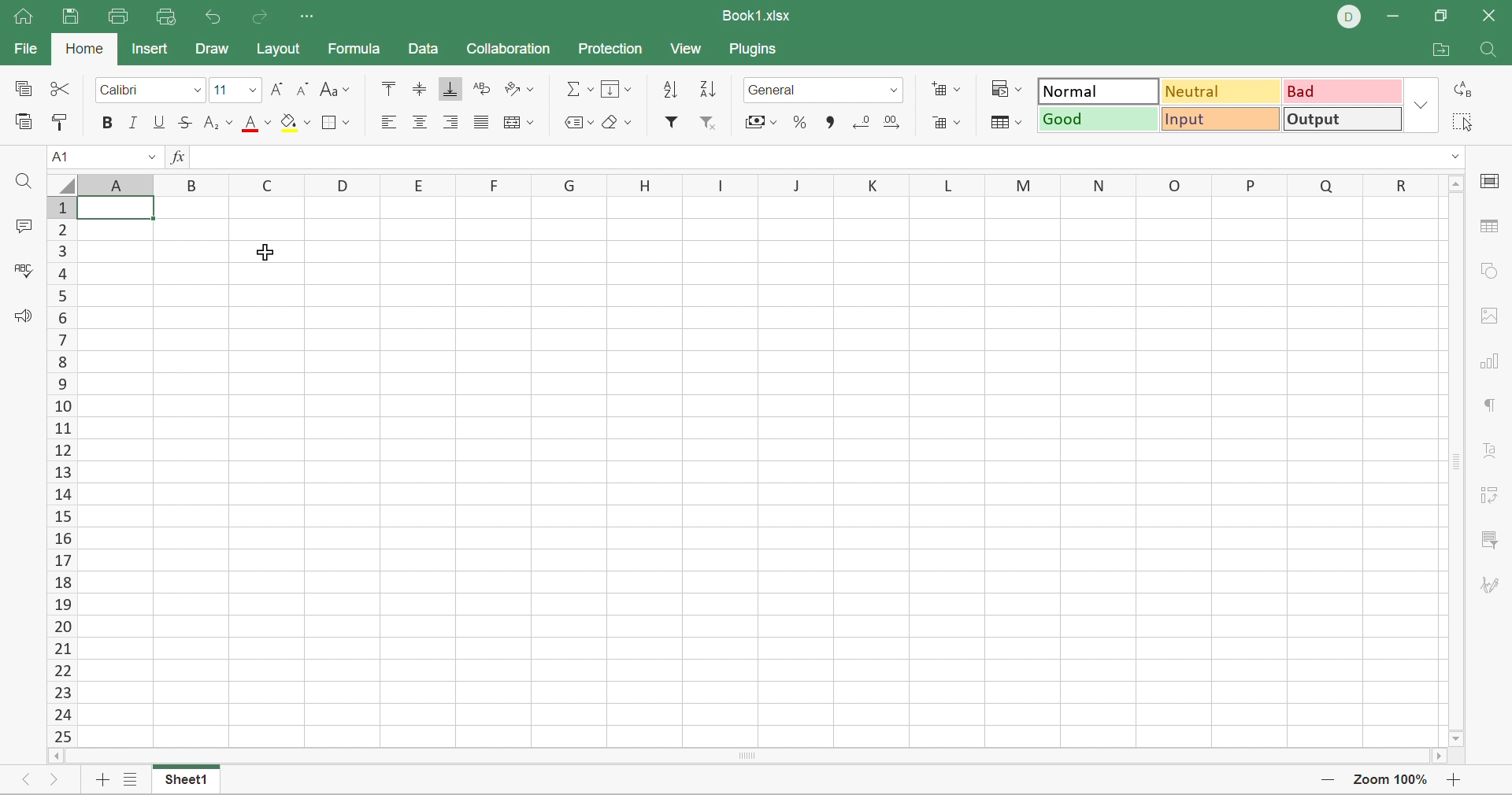  What do you see at coordinates (214, 49) in the screenshot?
I see `Draw` at bounding box center [214, 49].